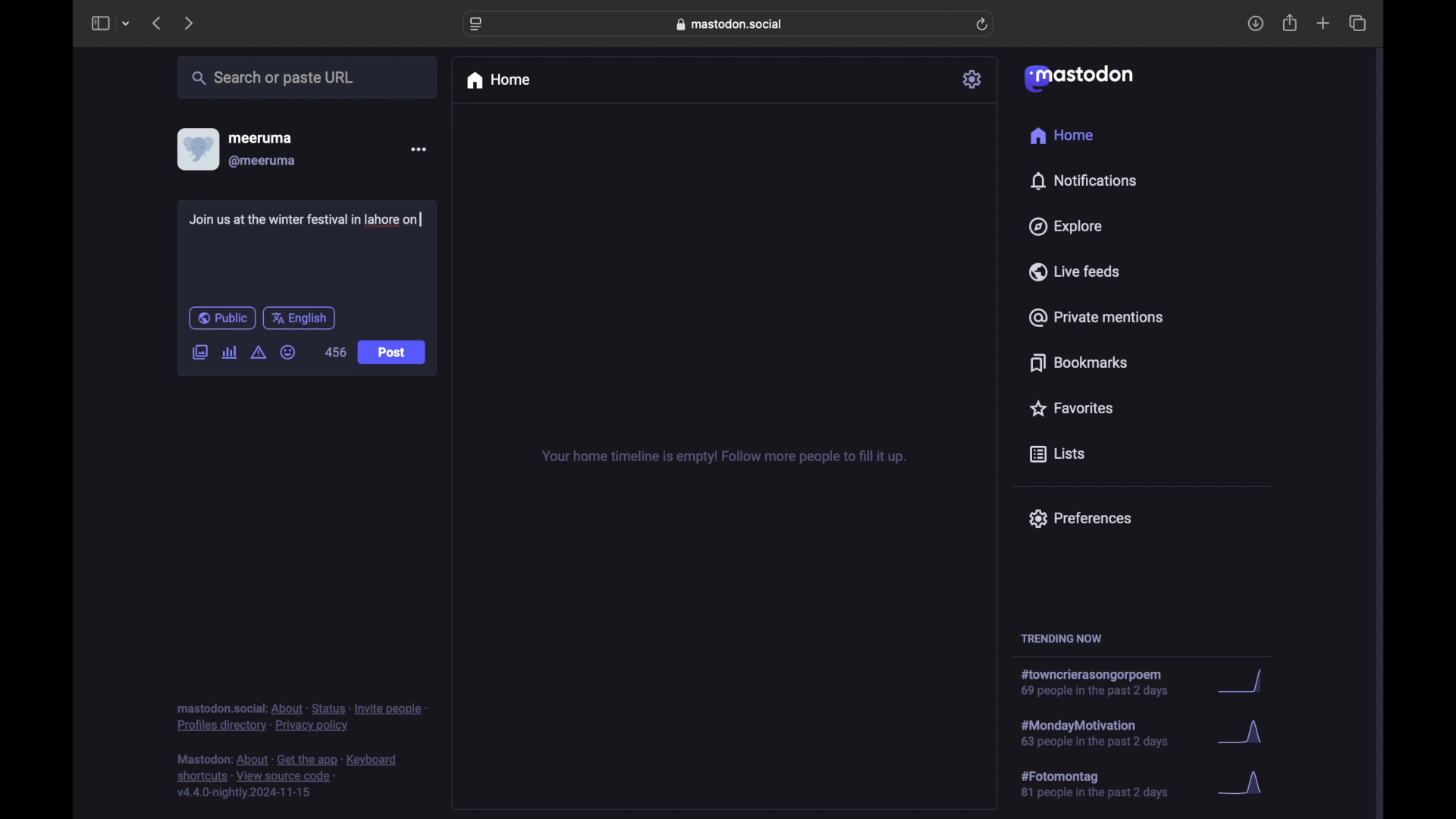 The image size is (1456, 819). Describe the element at coordinates (419, 219) in the screenshot. I see `text cursor` at that location.